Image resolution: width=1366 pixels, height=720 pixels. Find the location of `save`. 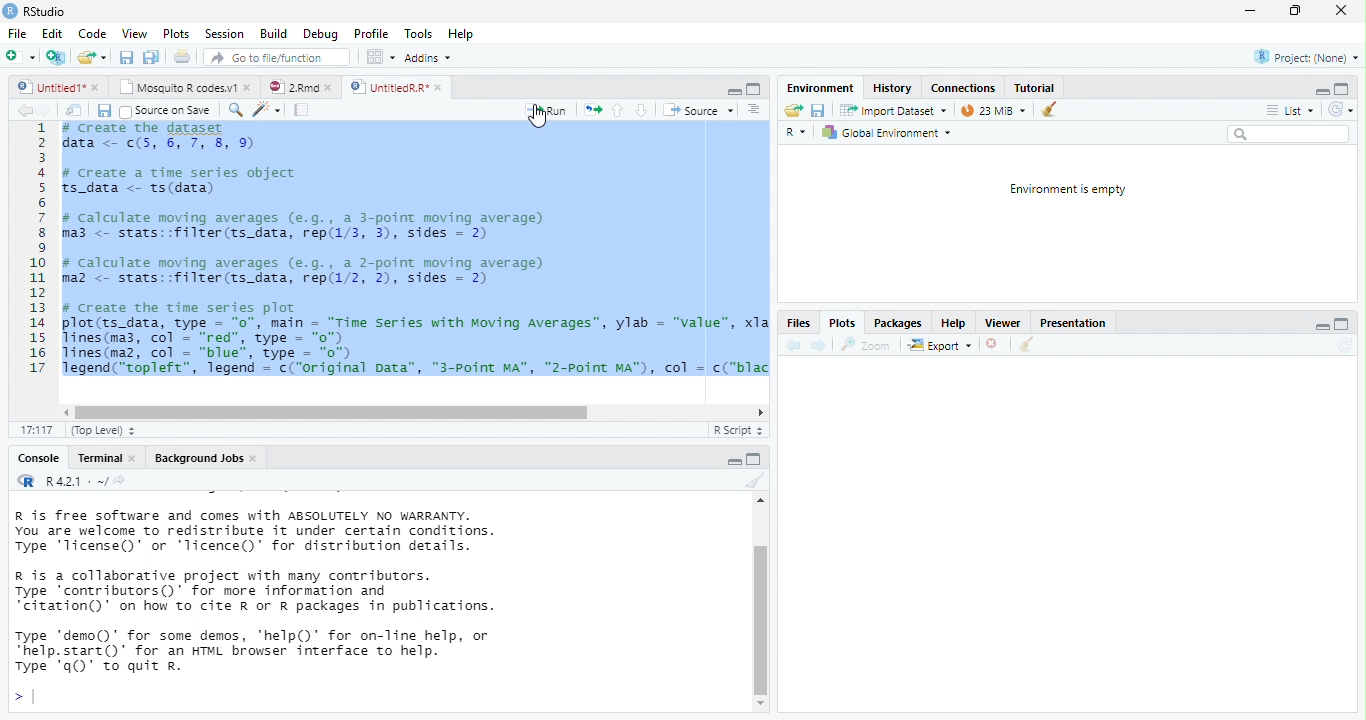

save is located at coordinates (103, 111).